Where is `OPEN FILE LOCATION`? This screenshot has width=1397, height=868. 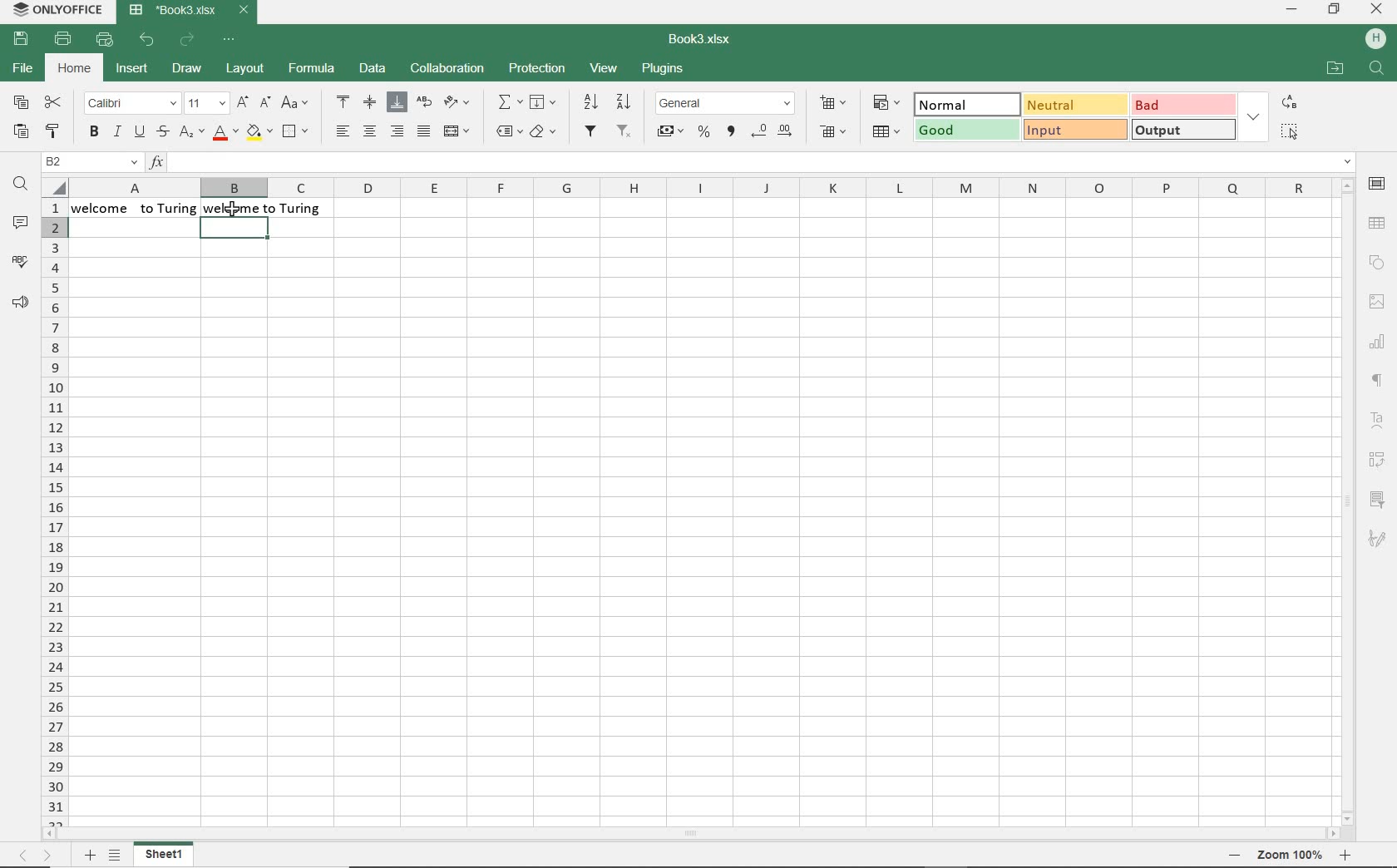 OPEN FILE LOCATION is located at coordinates (1335, 67).